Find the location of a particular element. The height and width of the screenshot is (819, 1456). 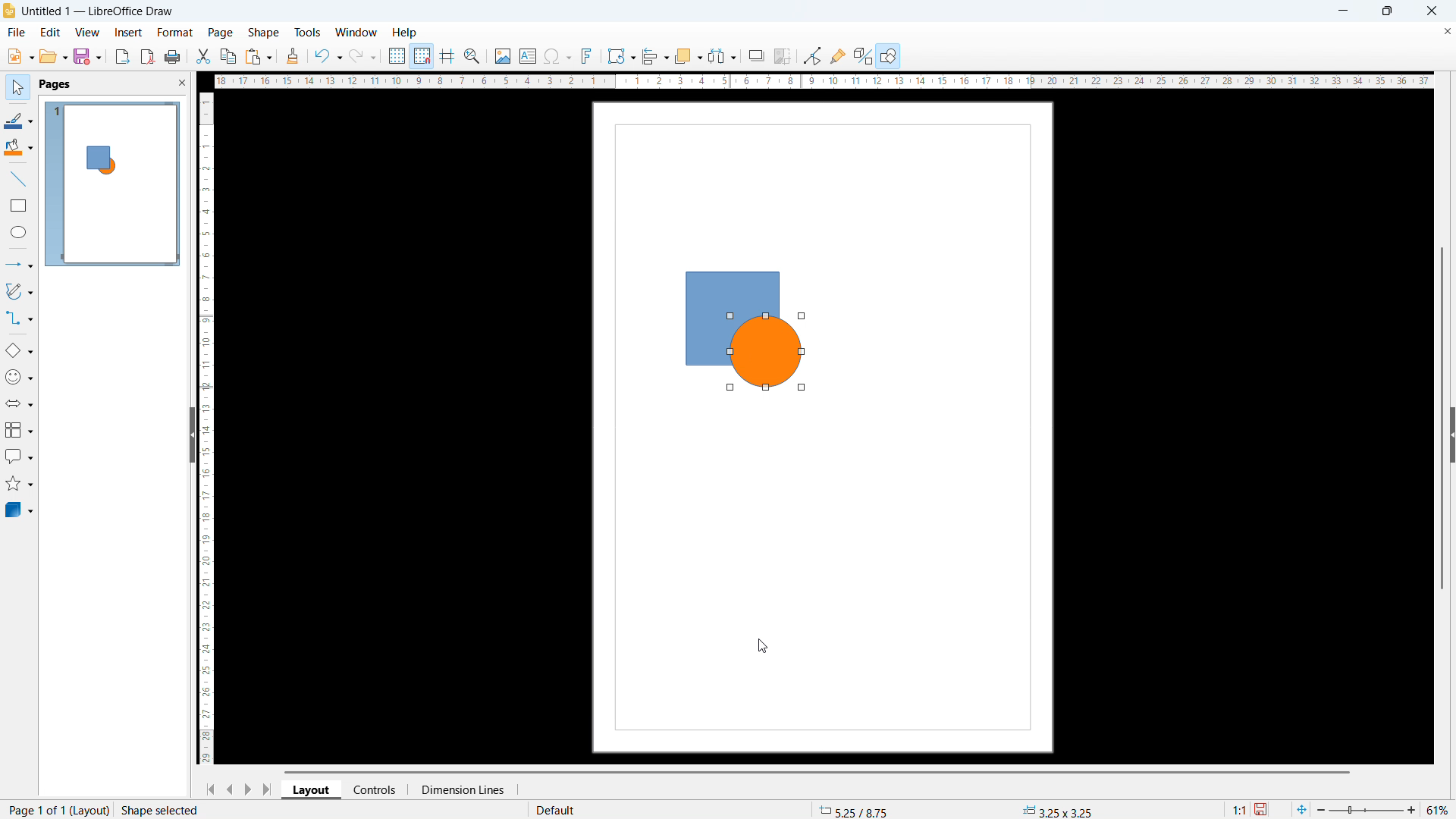

fit to page is located at coordinates (1303, 810).